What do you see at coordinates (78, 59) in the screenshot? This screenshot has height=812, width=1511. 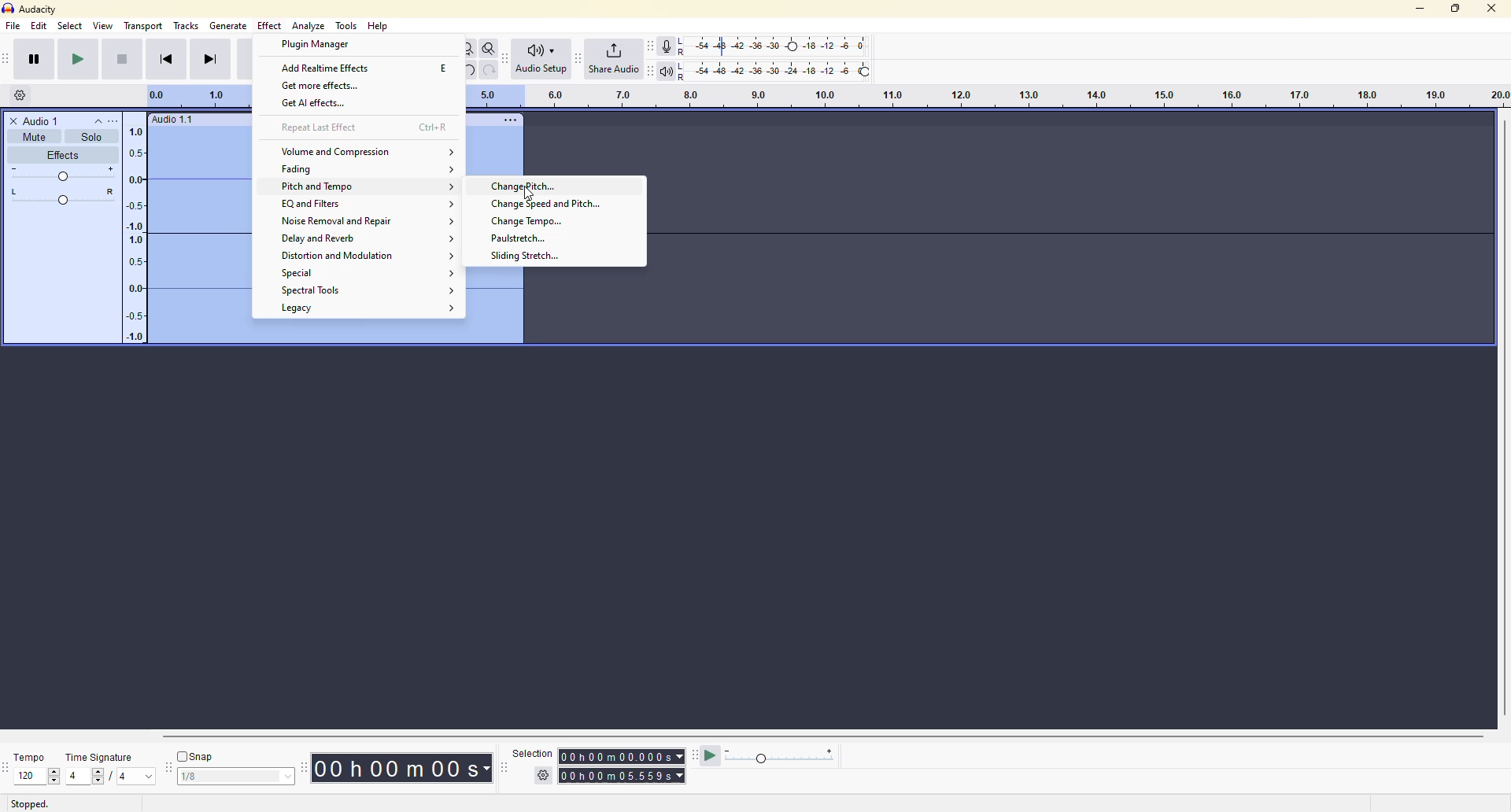 I see `play` at bounding box center [78, 59].